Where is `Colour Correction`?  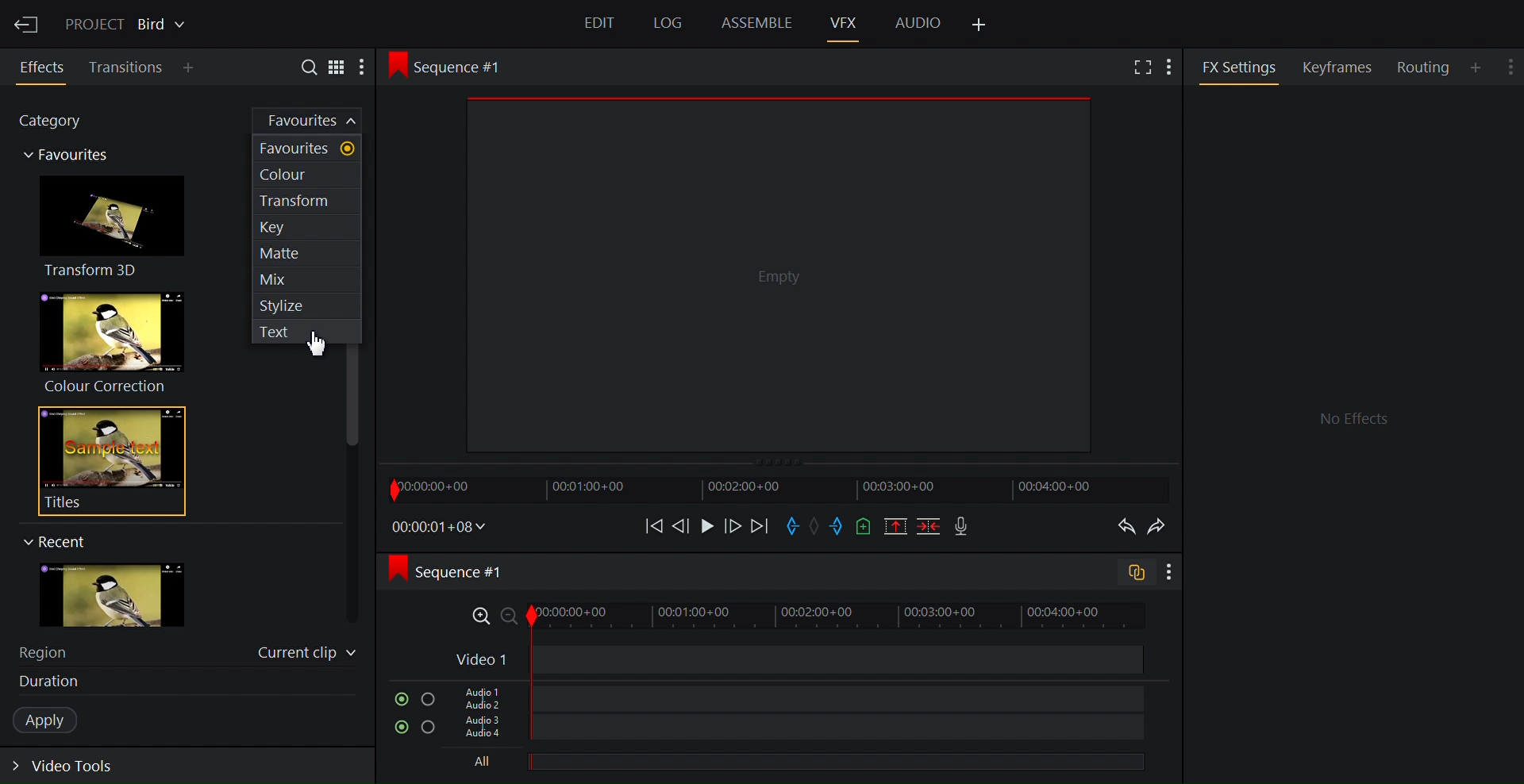 Colour Correction is located at coordinates (119, 340).